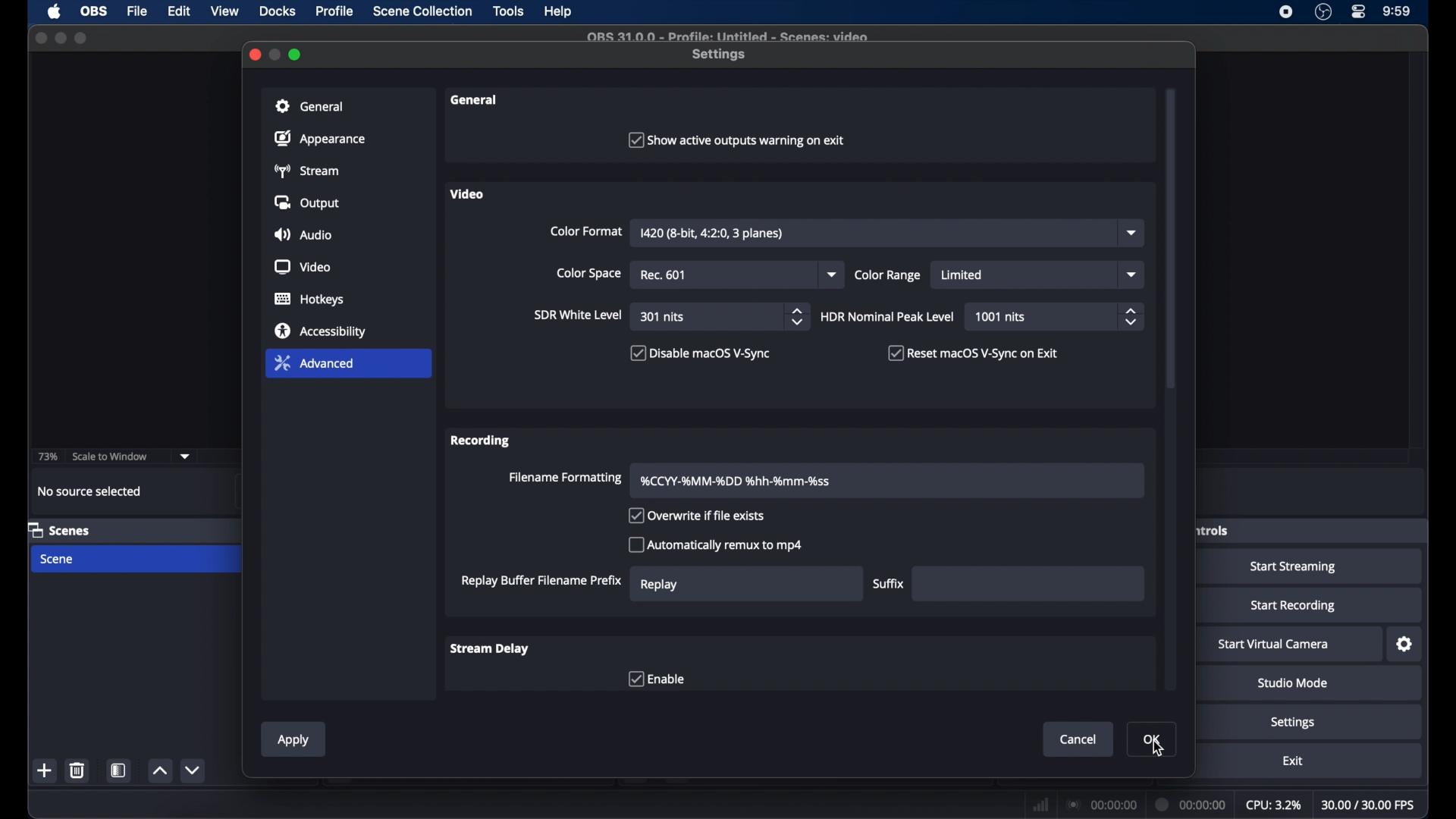 Image resolution: width=1456 pixels, height=819 pixels. I want to click on video, so click(467, 193).